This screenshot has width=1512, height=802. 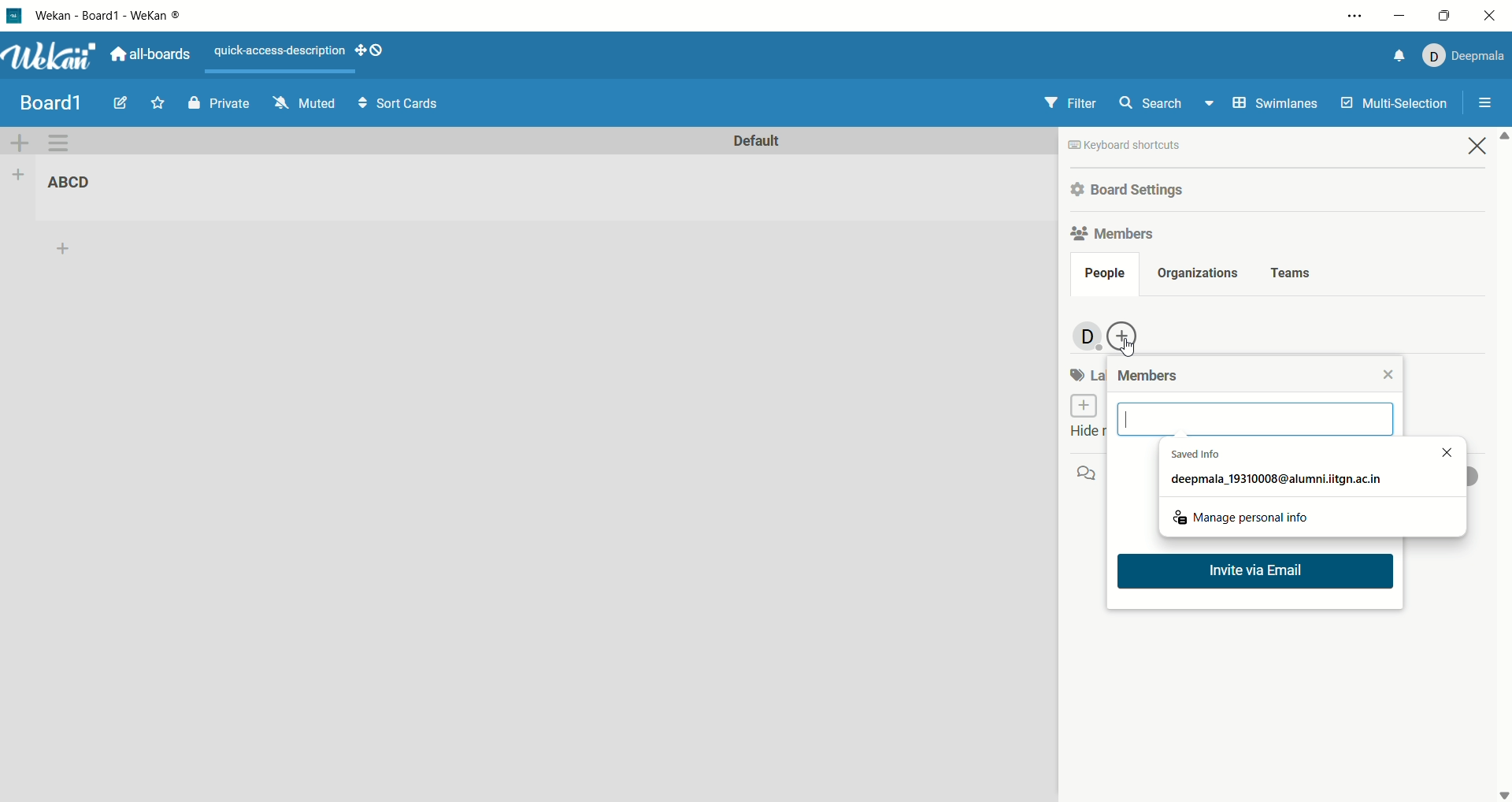 What do you see at coordinates (1125, 336) in the screenshot?
I see `add people` at bounding box center [1125, 336].